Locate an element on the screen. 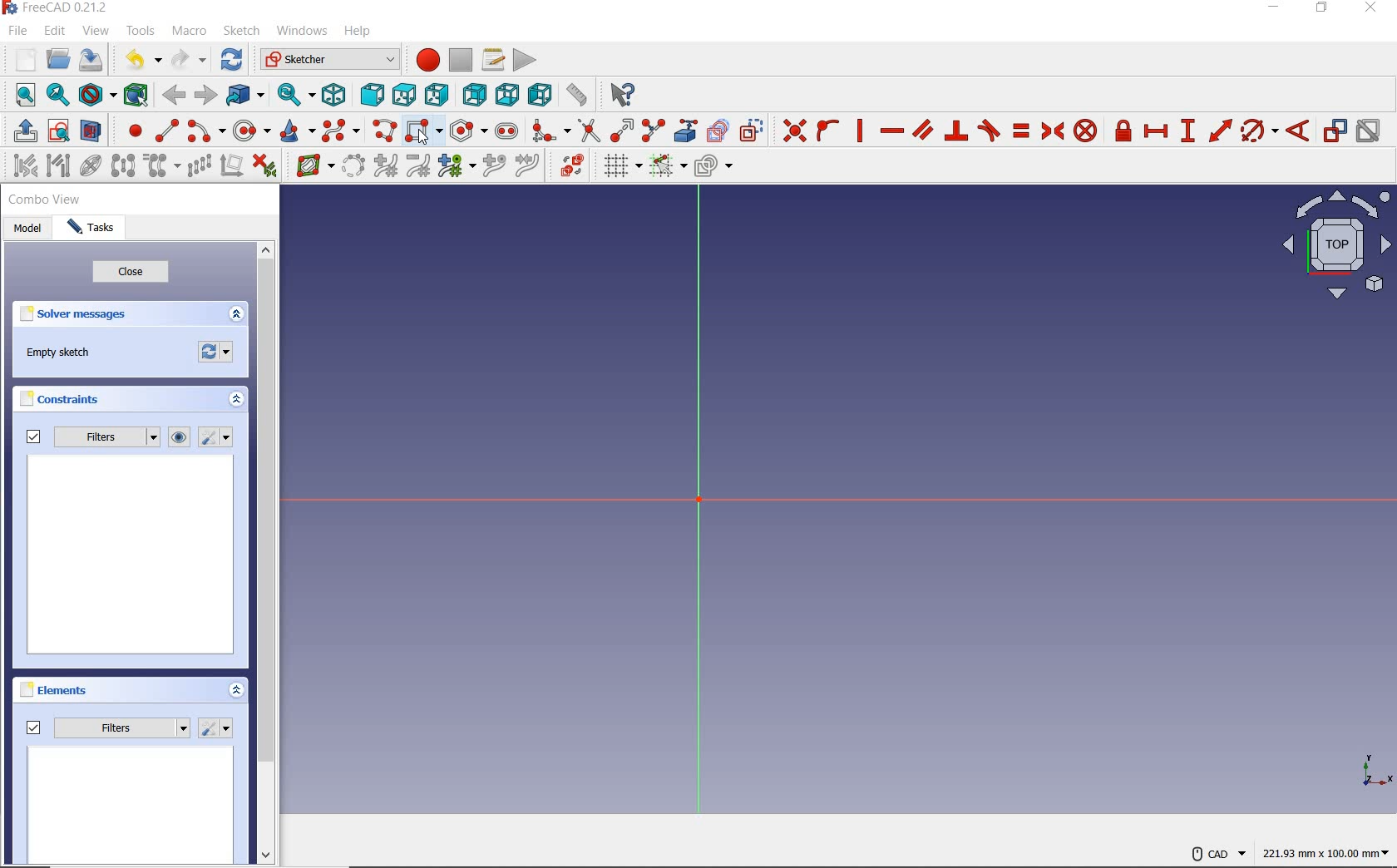 The width and height of the screenshot is (1397, 868). increase B-Spline degree is located at coordinates (491, 167).